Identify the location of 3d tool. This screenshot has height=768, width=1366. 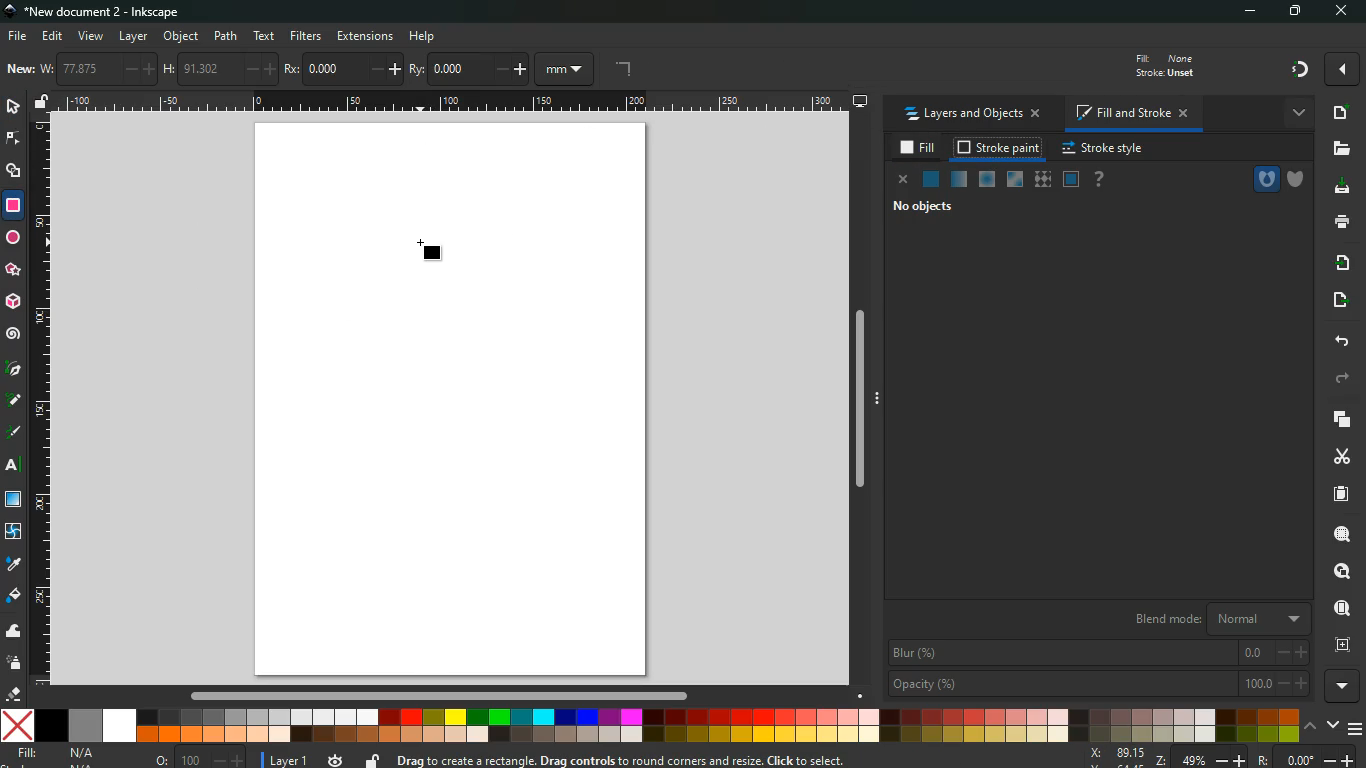
(14, 303).